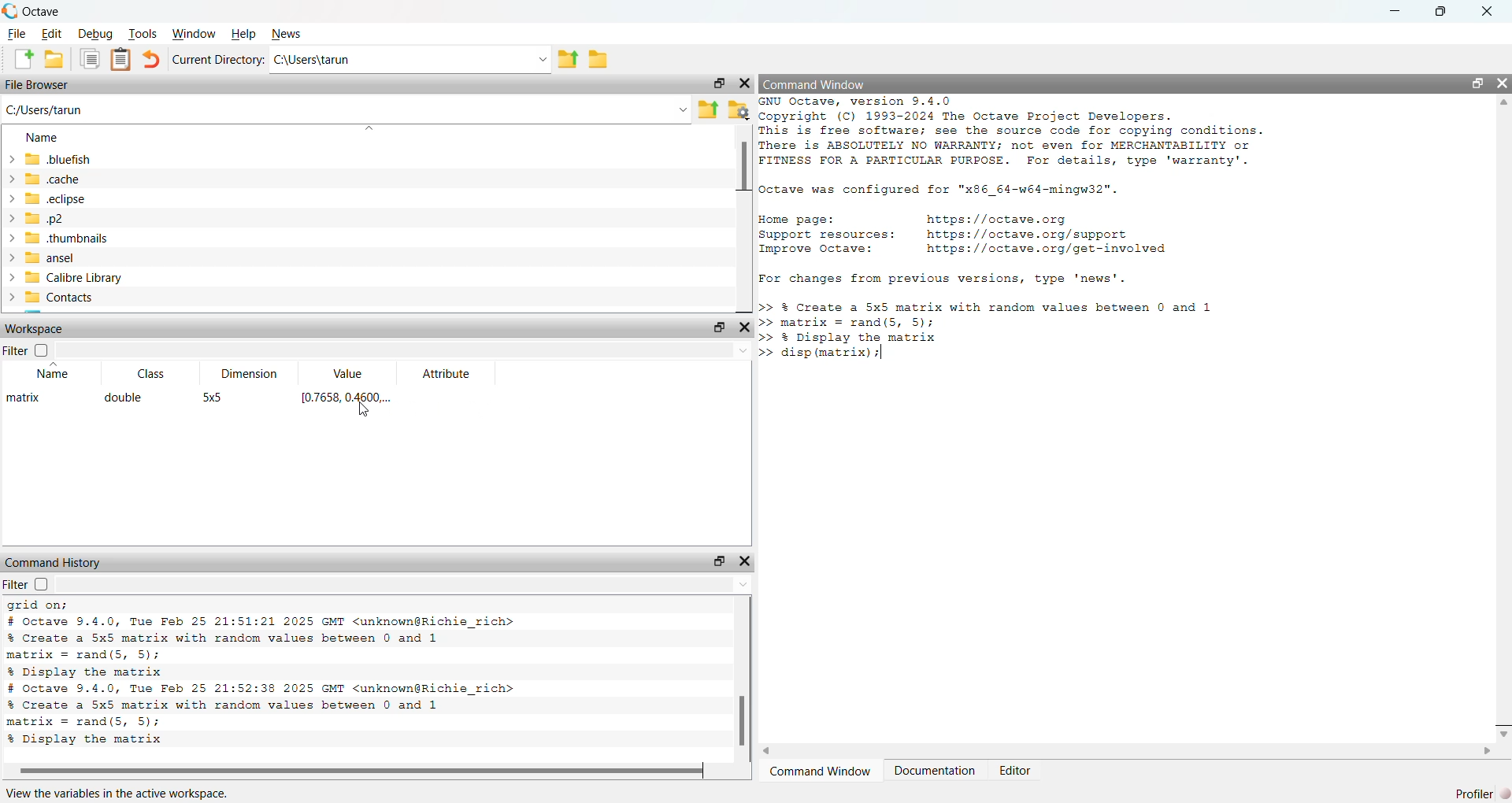 The height and width of the screenshot is (803, 1512). What do you see at coordinates (743, 83) in the screenshot?
I see `close` at bounding box center [743, 83].